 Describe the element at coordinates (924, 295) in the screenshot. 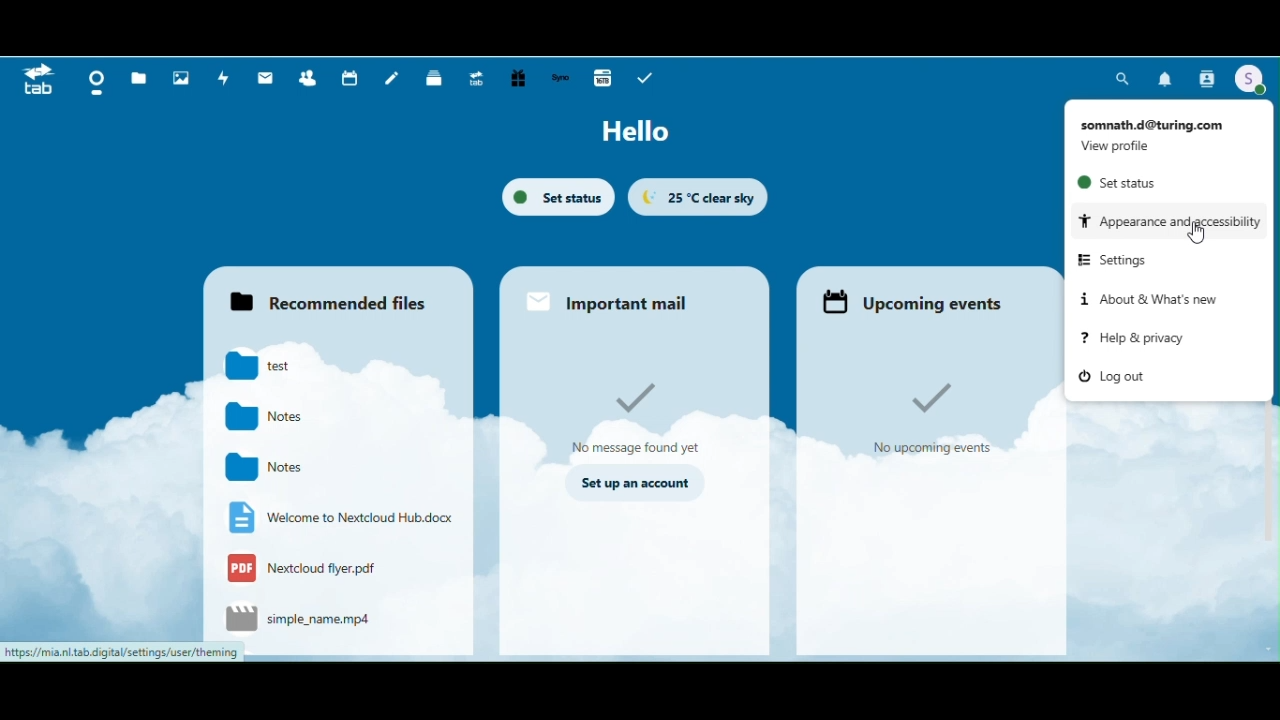

I see `Upcoming events ` at that location.